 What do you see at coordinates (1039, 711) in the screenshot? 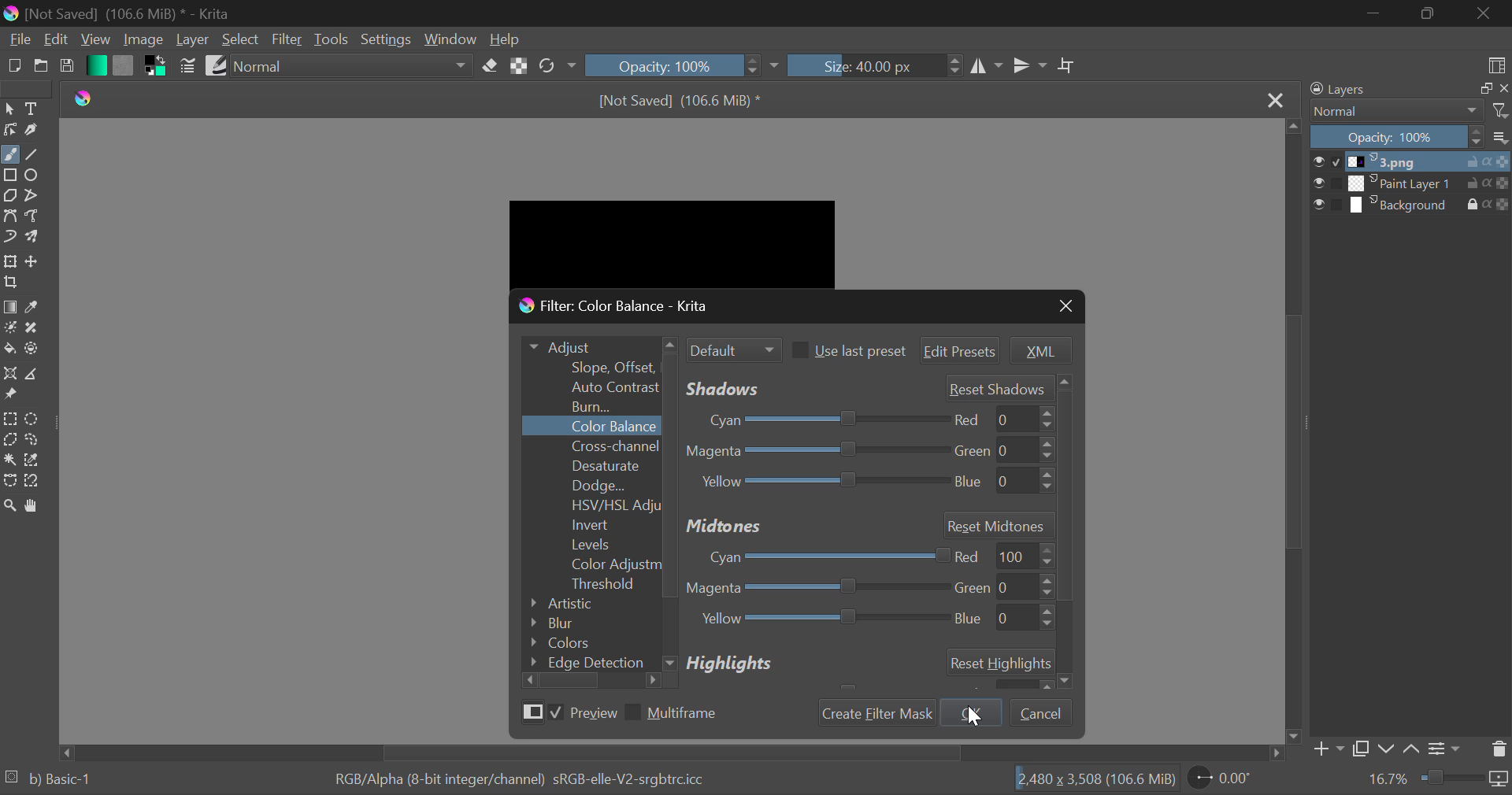
I see `Cancel` at bounding box center [1039, 711].